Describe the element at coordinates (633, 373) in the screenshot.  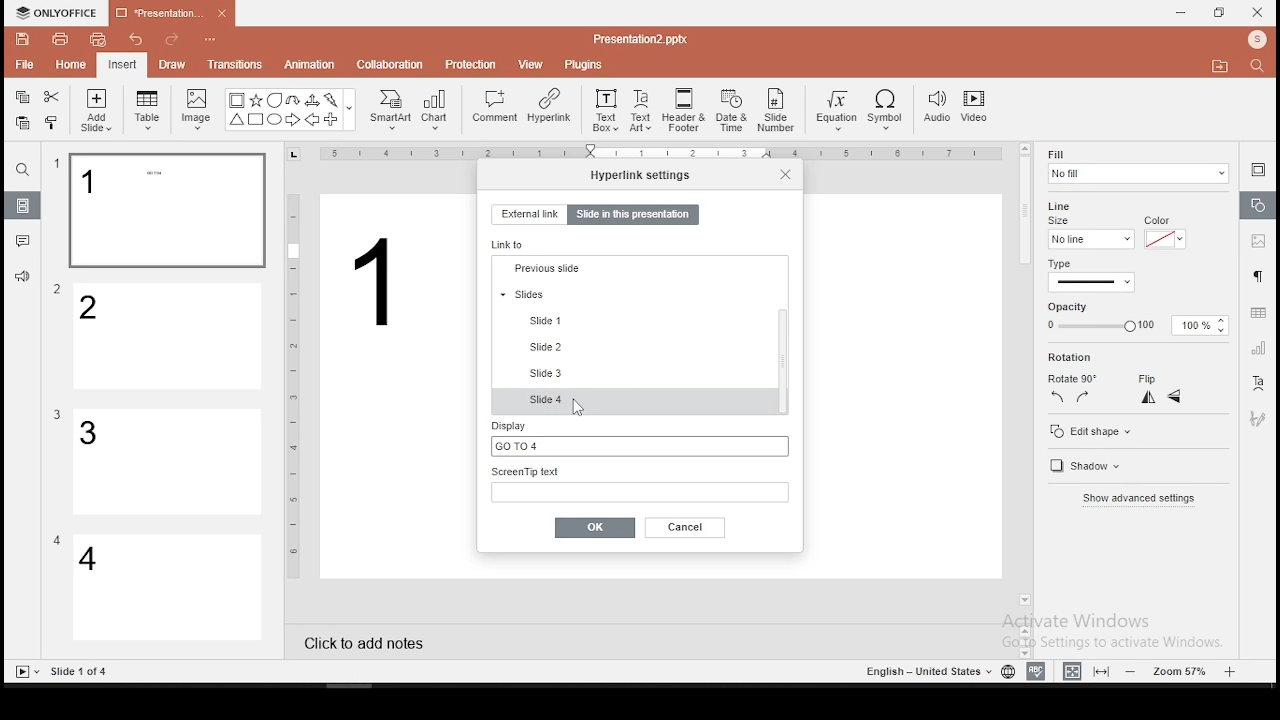
I see ` slides` at that location.